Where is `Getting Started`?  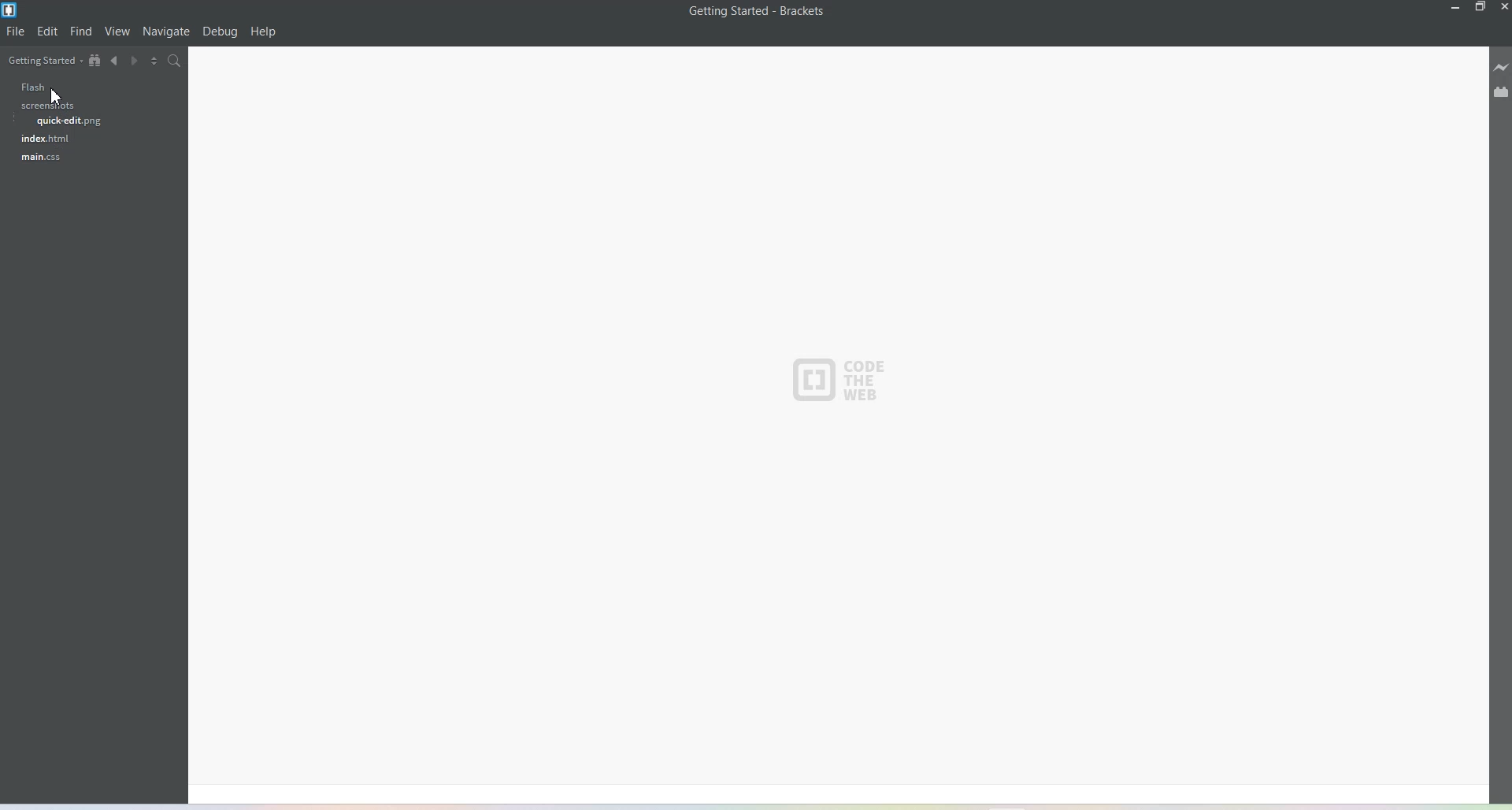 Getting Started is located at coordinates (43, 61).